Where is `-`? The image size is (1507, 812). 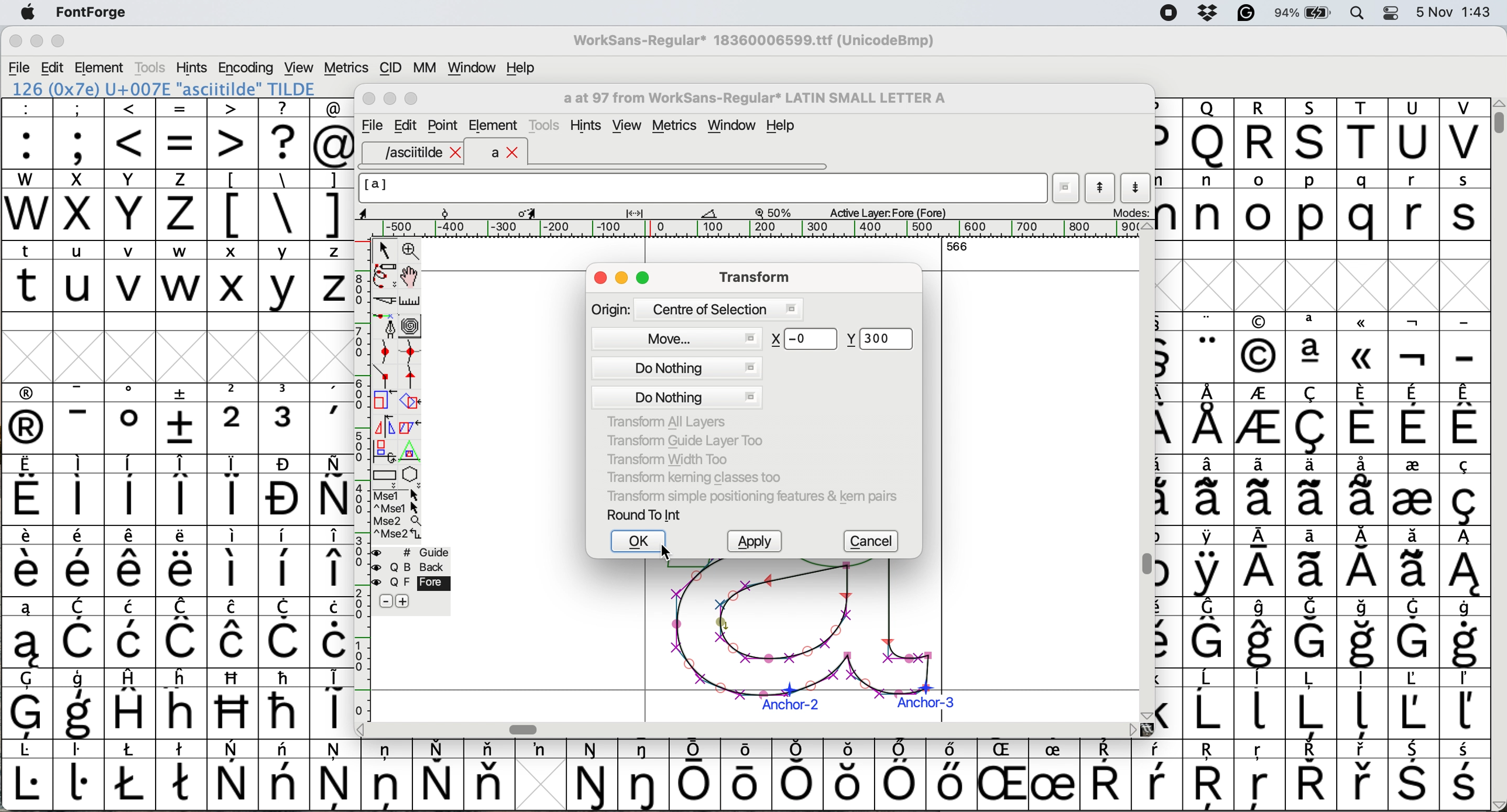
- is located at coordinates (1465, 349).